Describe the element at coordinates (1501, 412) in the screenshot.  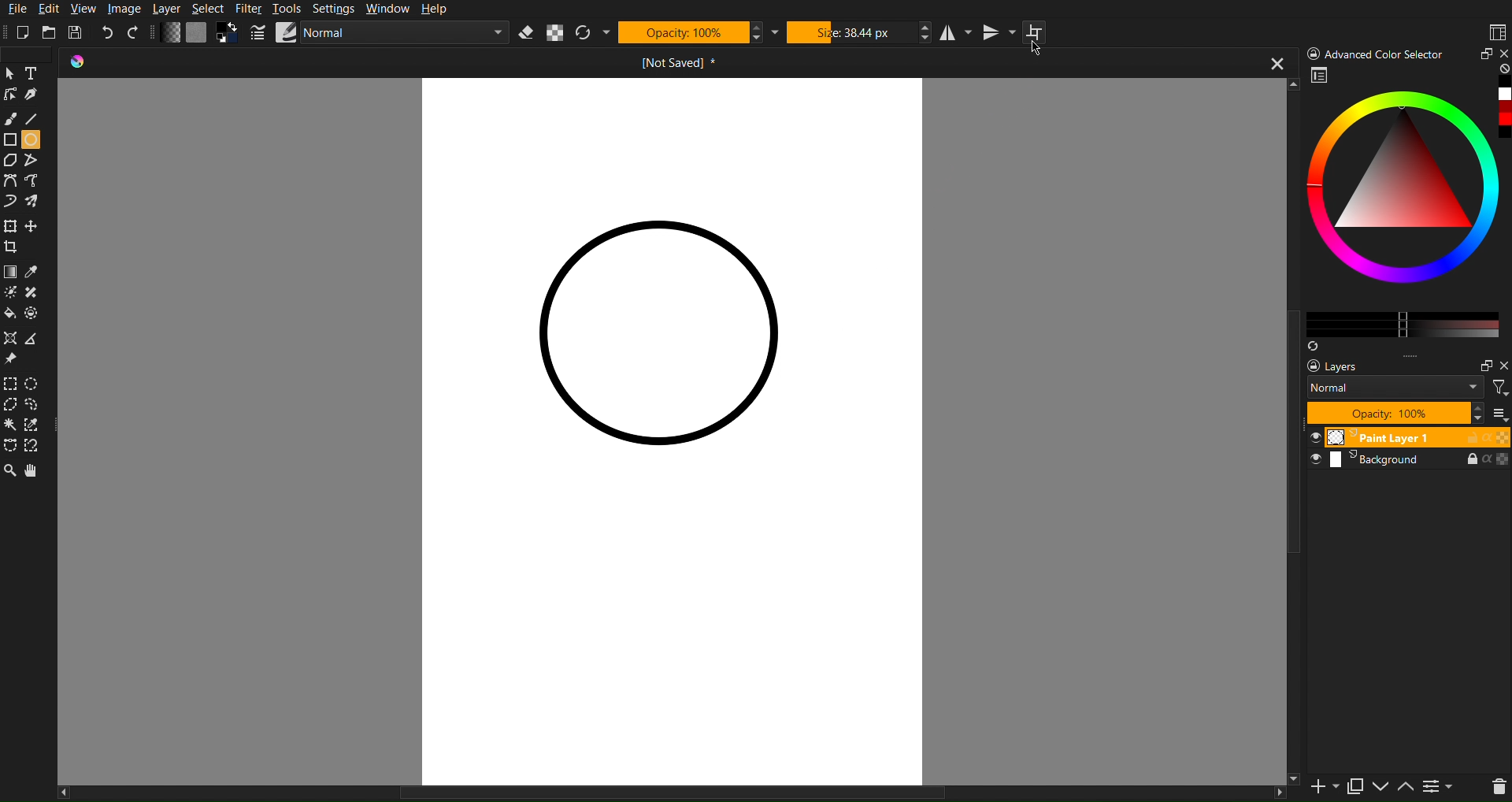
I see `more` at that location.